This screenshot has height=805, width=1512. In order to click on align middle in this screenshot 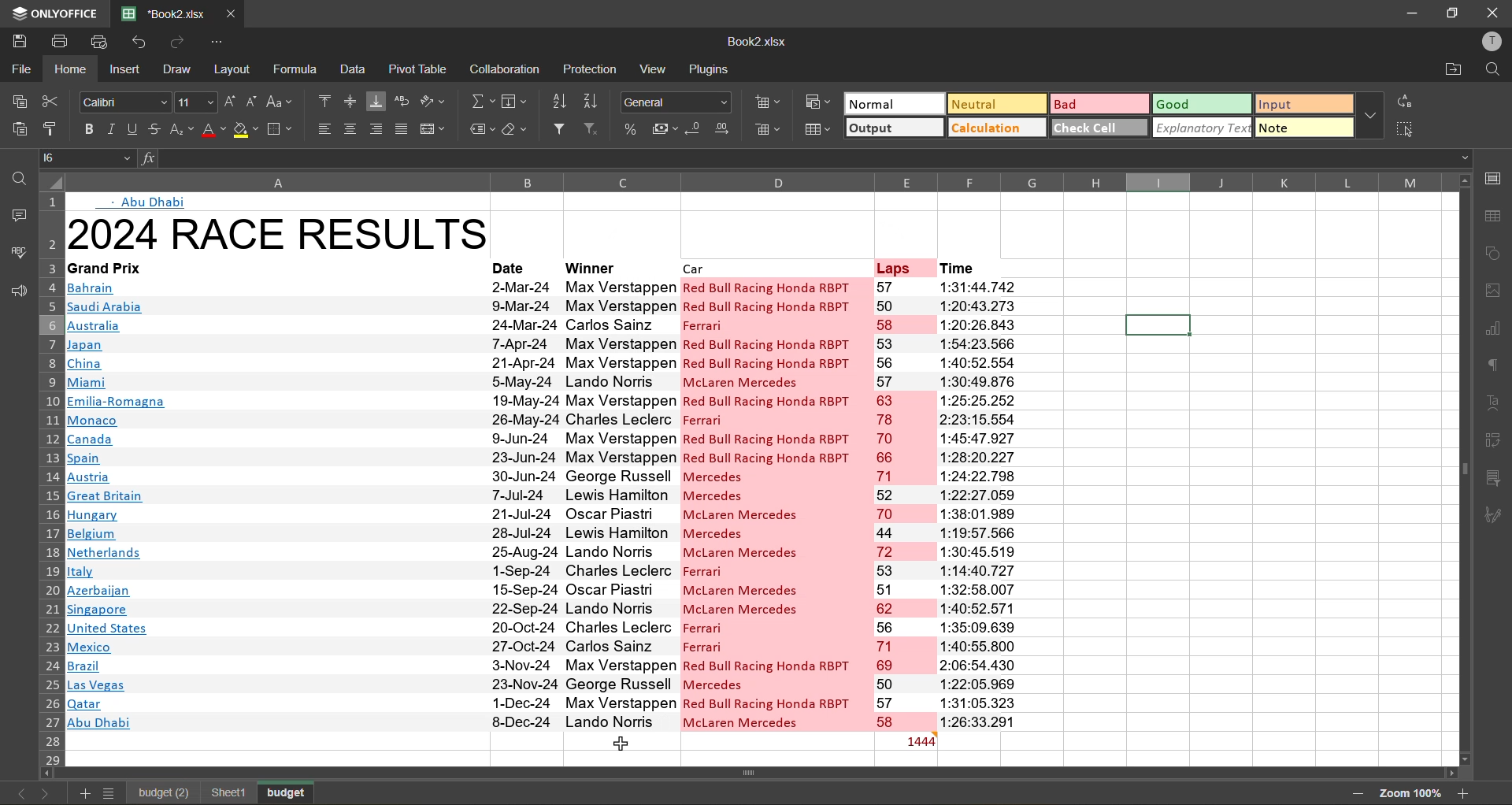, I will do `click(349, 103)`.